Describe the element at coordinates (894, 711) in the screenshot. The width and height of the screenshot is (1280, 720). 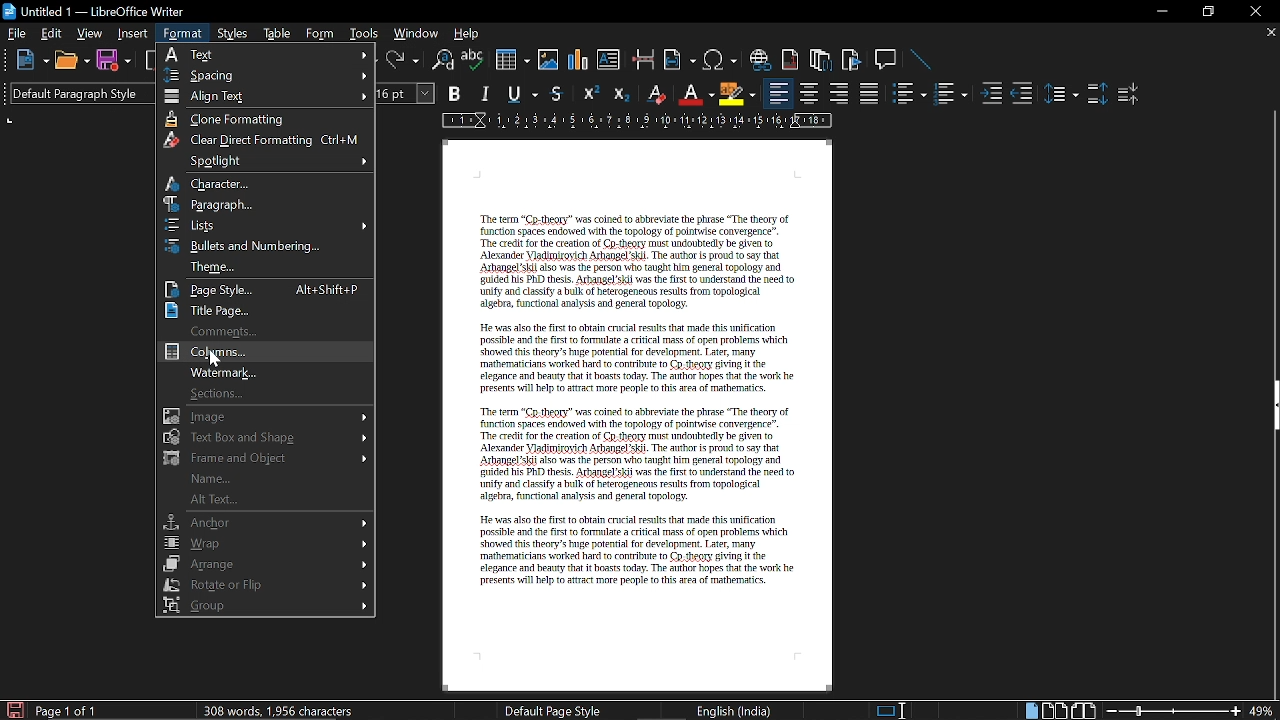
I see `Standard selection` at that location.